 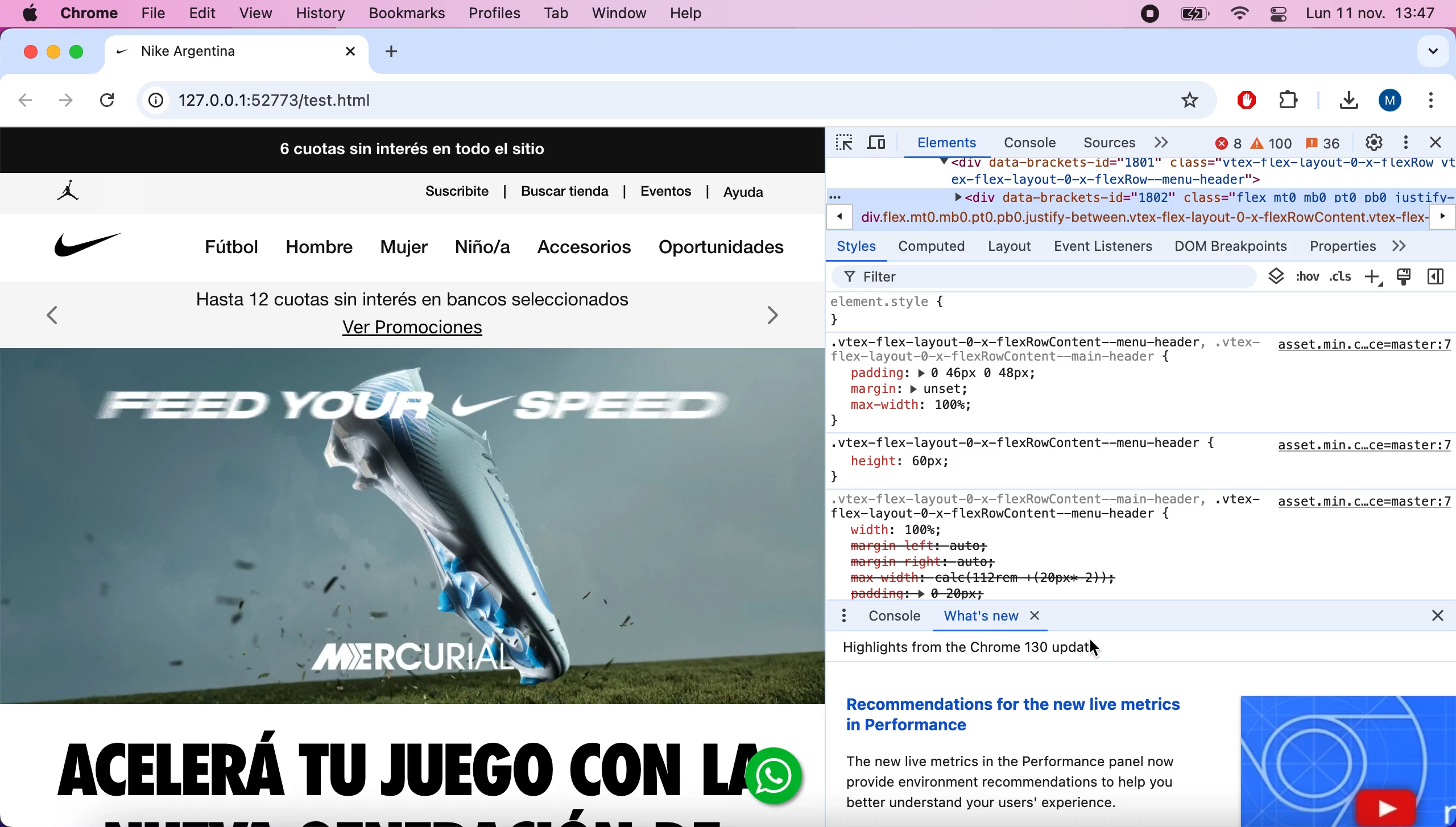 What do you see at coordinates (1405, 142) in the screenshot?
I see `customize and control` at bounding box center [1405, 142].